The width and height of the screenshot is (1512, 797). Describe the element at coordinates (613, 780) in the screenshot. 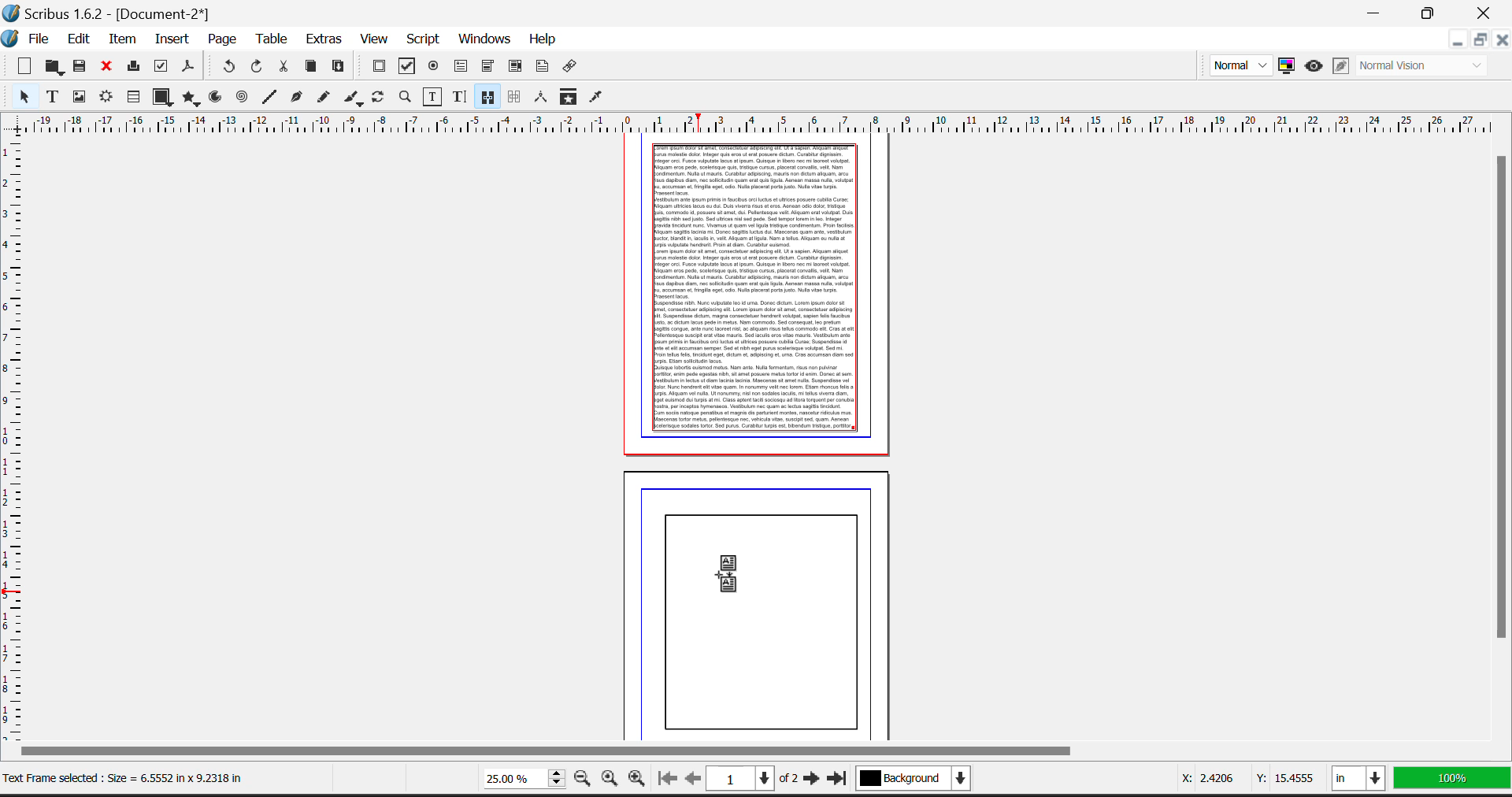

I see `Zoom Settings` at that location.